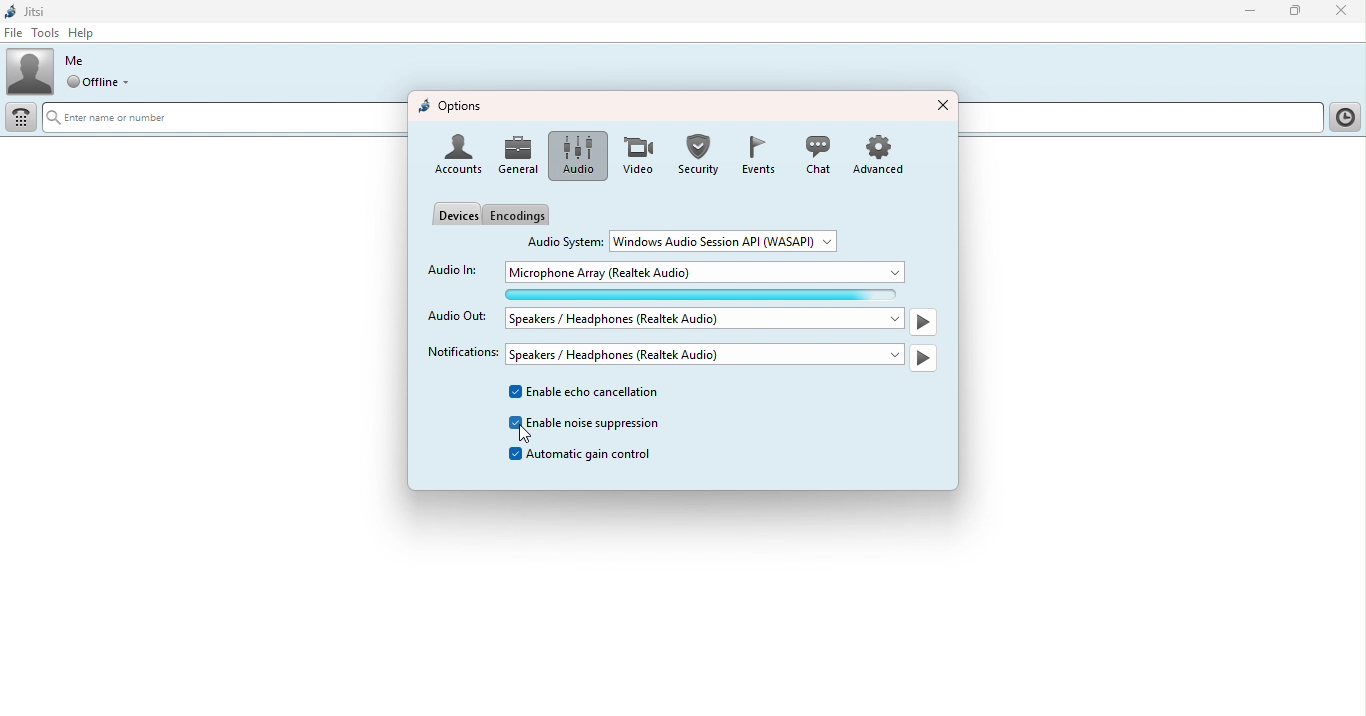 The image size is (1366, 716). I want to click on Profile picture, so click(30, 70).